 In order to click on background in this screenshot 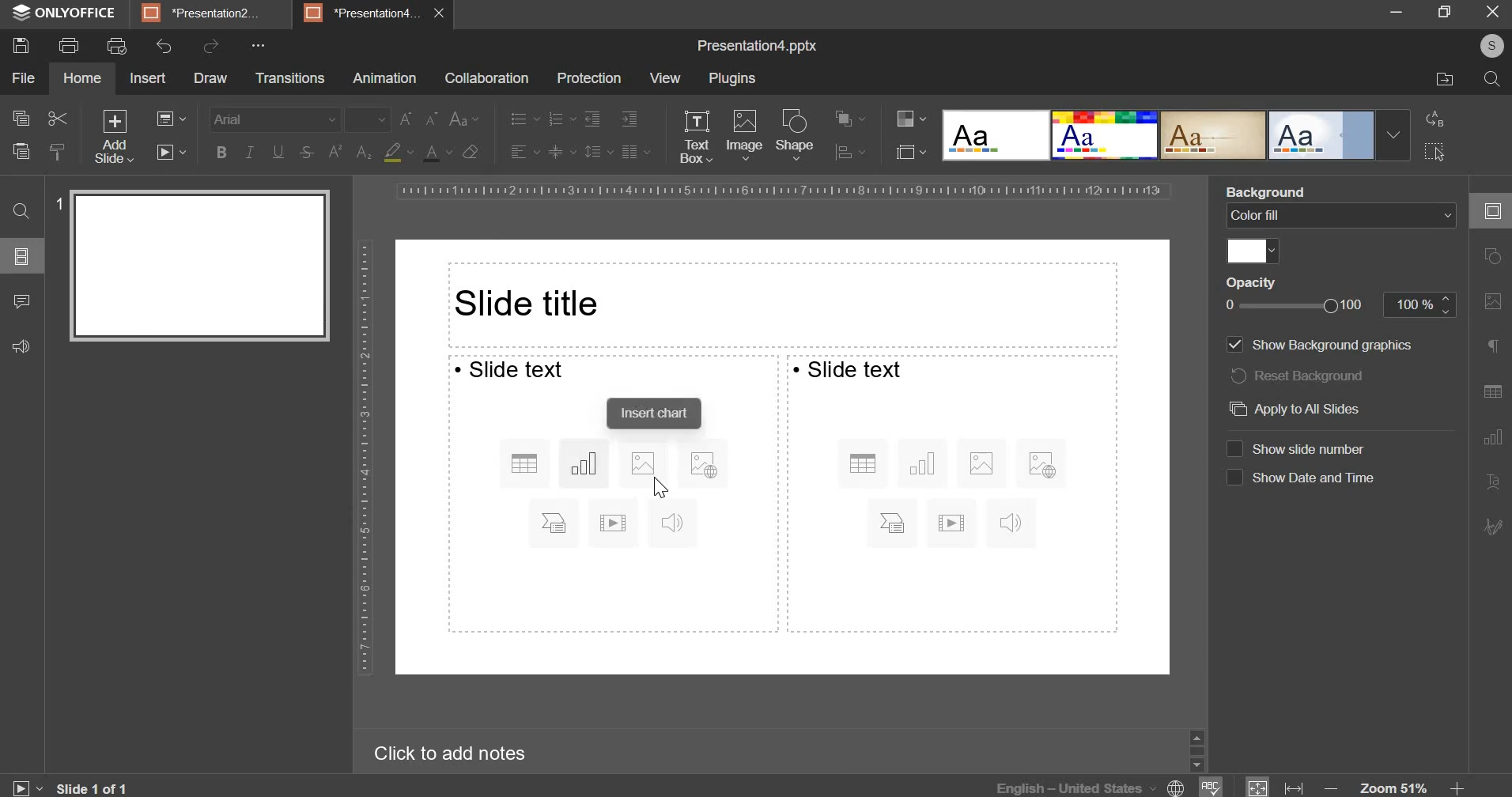, I will do `click(1272, 192)`.